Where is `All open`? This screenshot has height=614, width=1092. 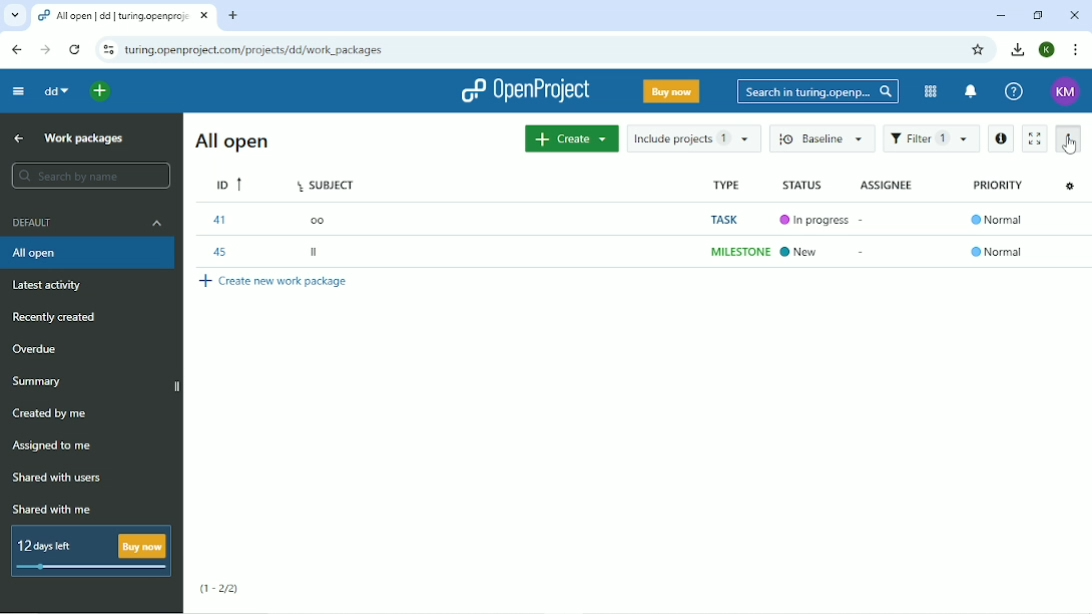
All open is located at coordinates (88, 253).